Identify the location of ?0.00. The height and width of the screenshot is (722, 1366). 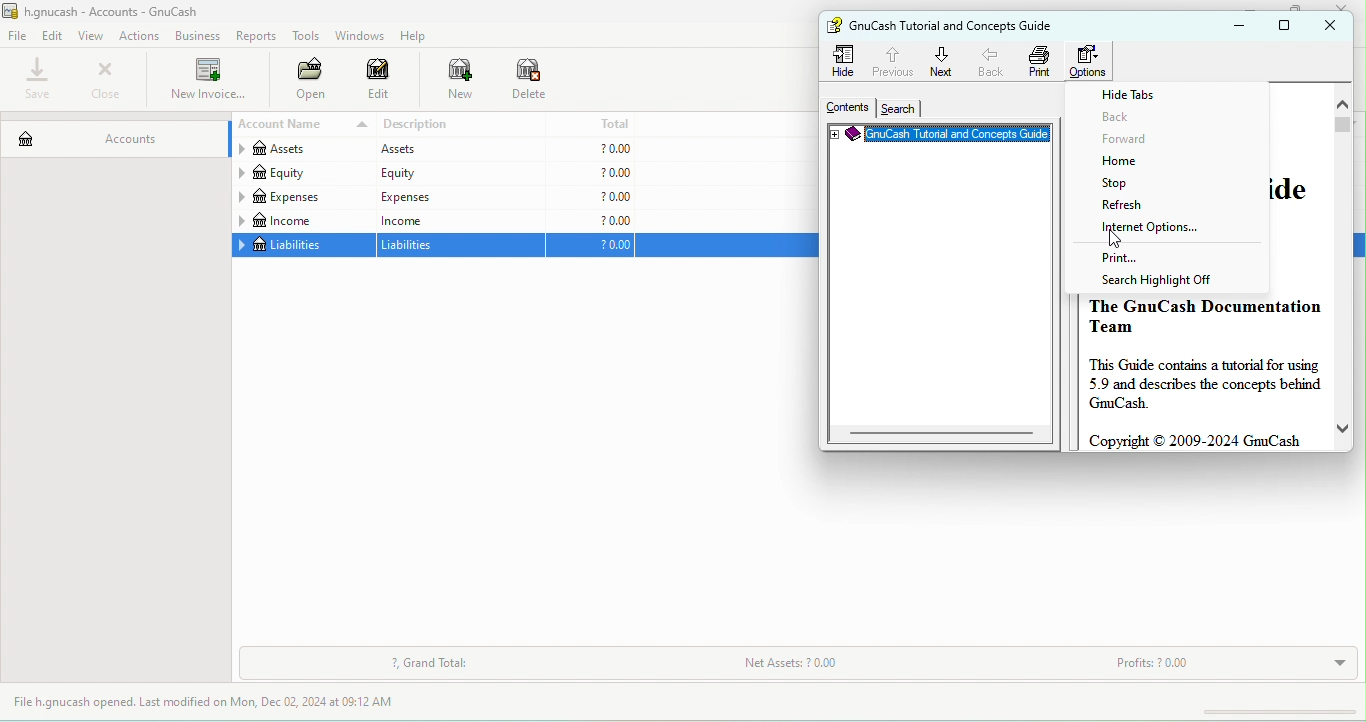
(589, 197).